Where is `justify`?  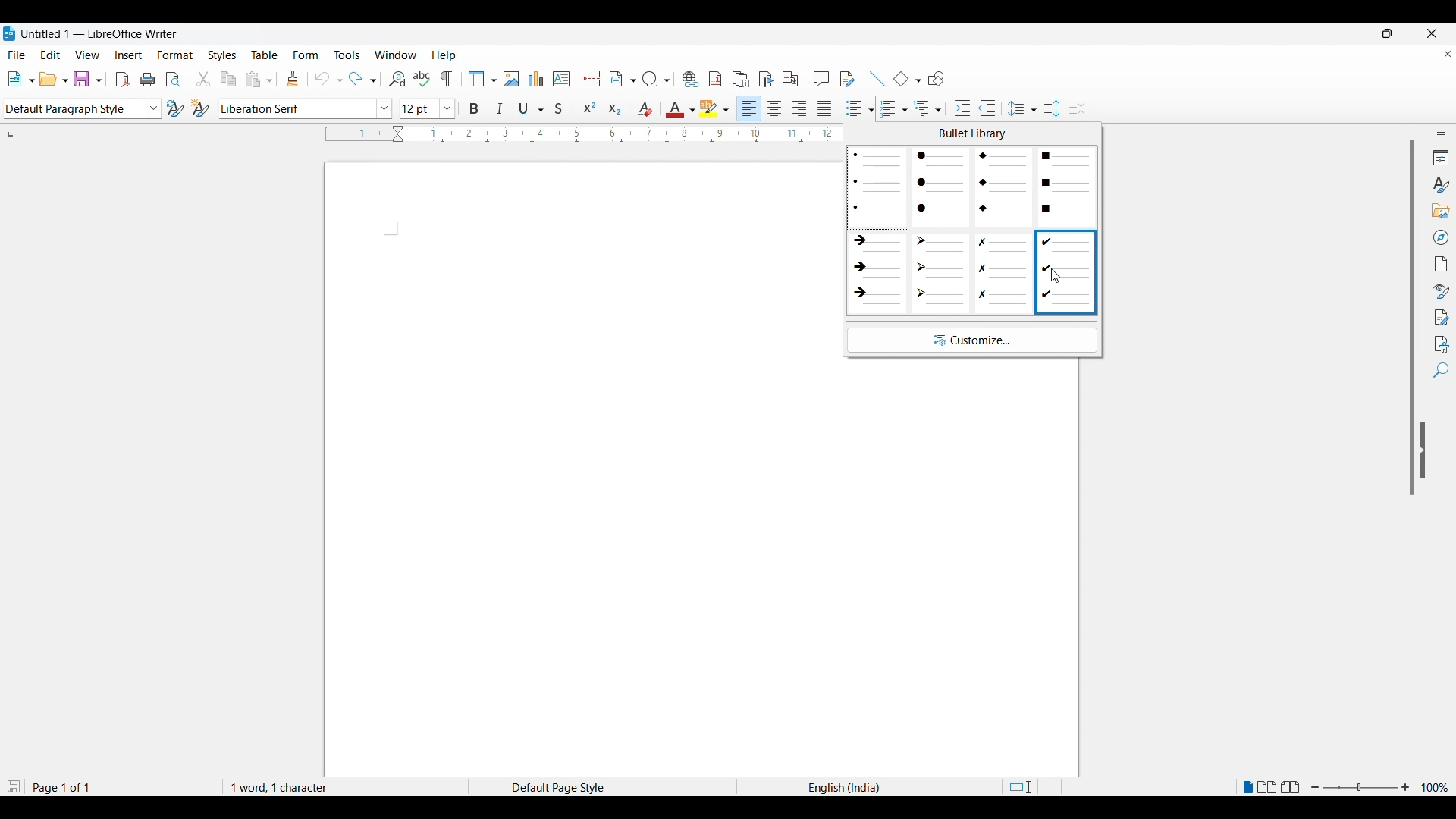 justify is located at coordinates (827, 106).